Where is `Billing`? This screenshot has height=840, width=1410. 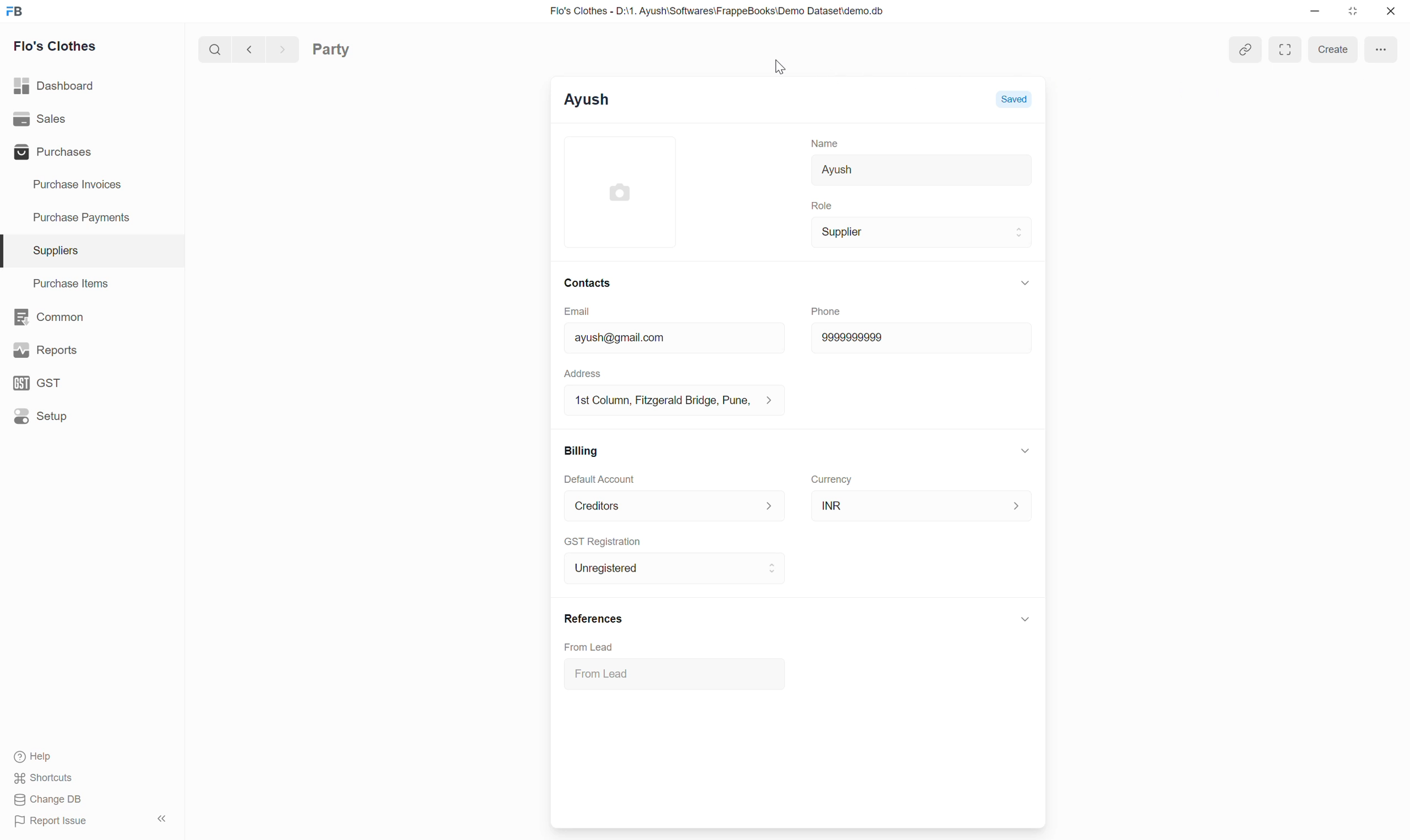 Billing is located at coordinates (581, 451).